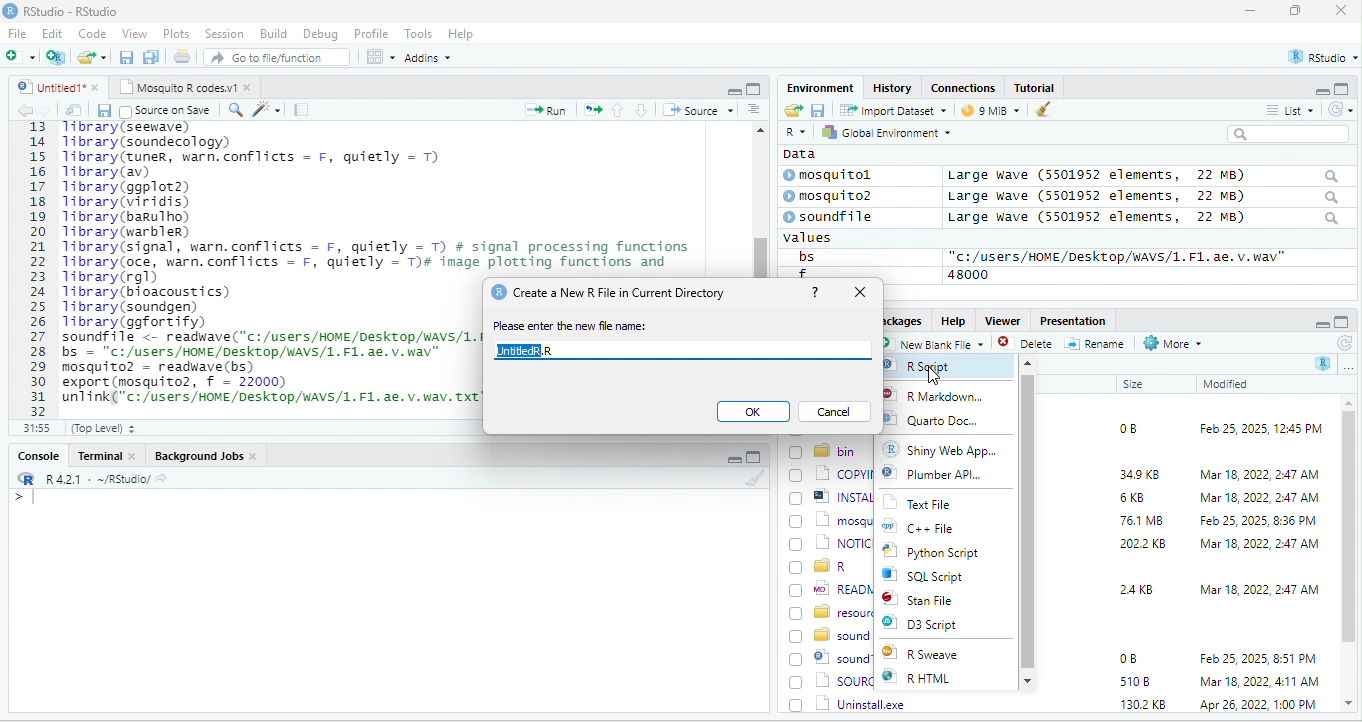  I want to click on close, so click(863, 293).